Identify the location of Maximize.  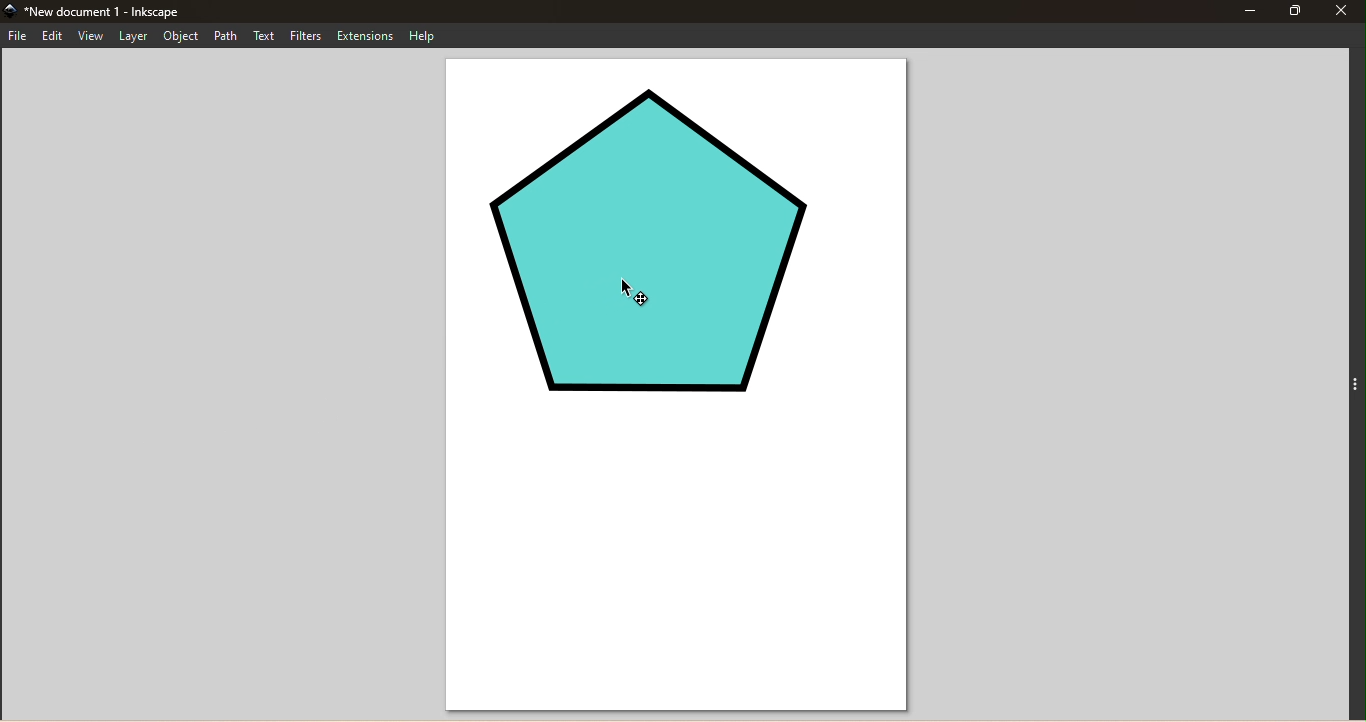
(1295, 10).